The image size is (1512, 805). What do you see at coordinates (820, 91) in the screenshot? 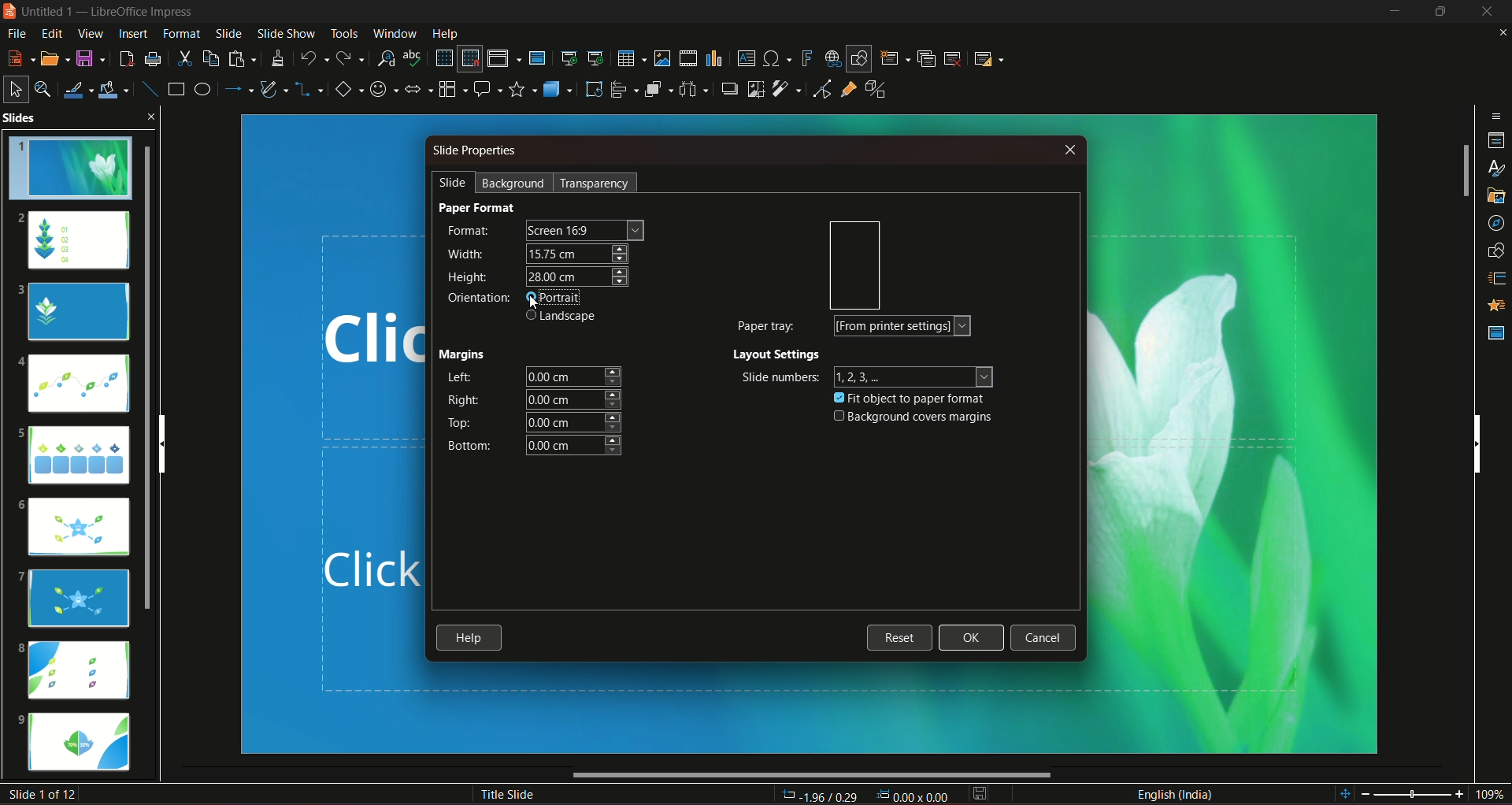
I see `toggle point edit` at bounding box center [820, 91].